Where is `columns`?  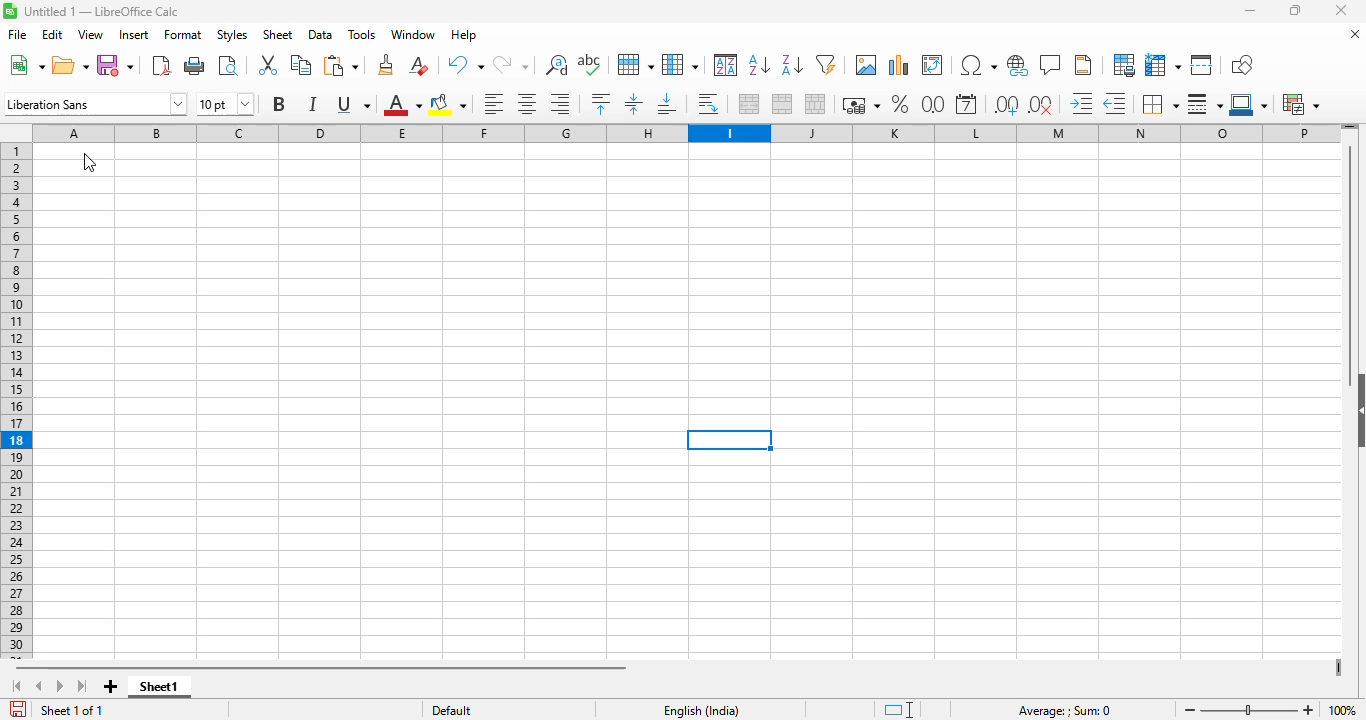
columns is located at coordinates (685, 134).